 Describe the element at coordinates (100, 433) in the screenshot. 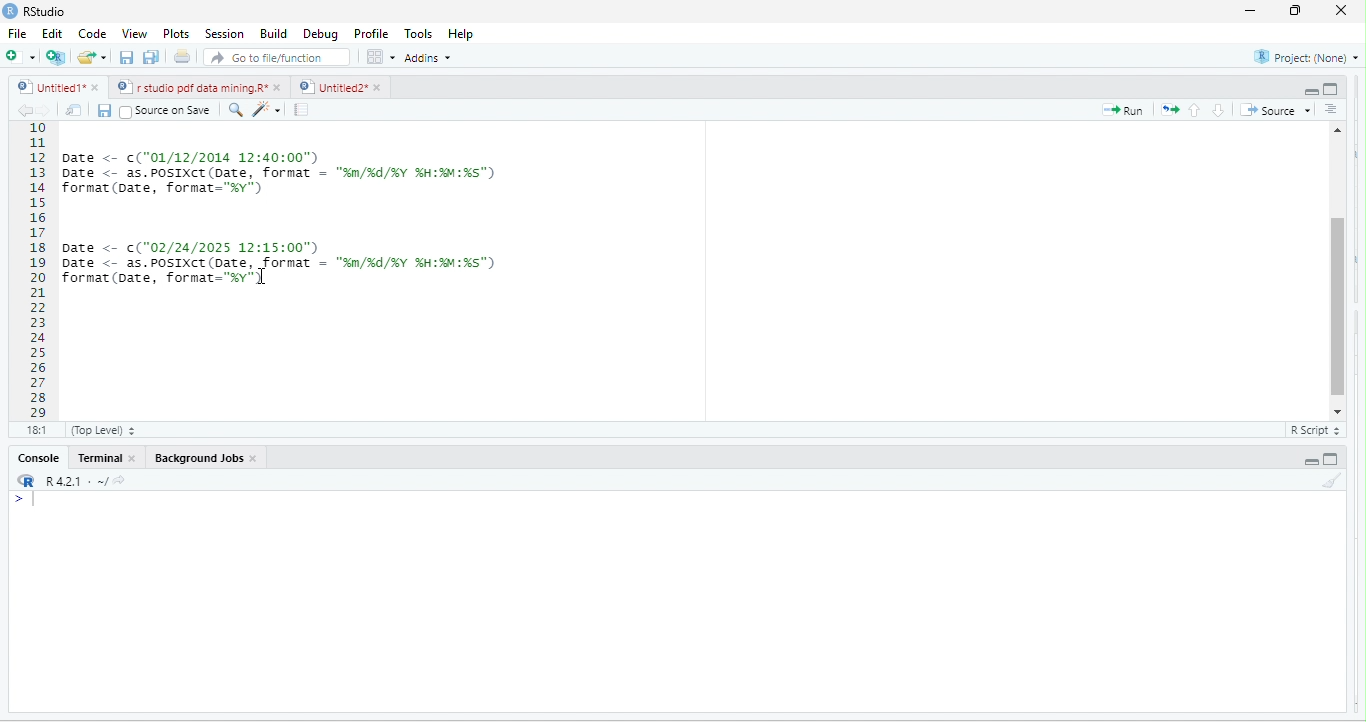

I see `(Top Level) ` at that location.